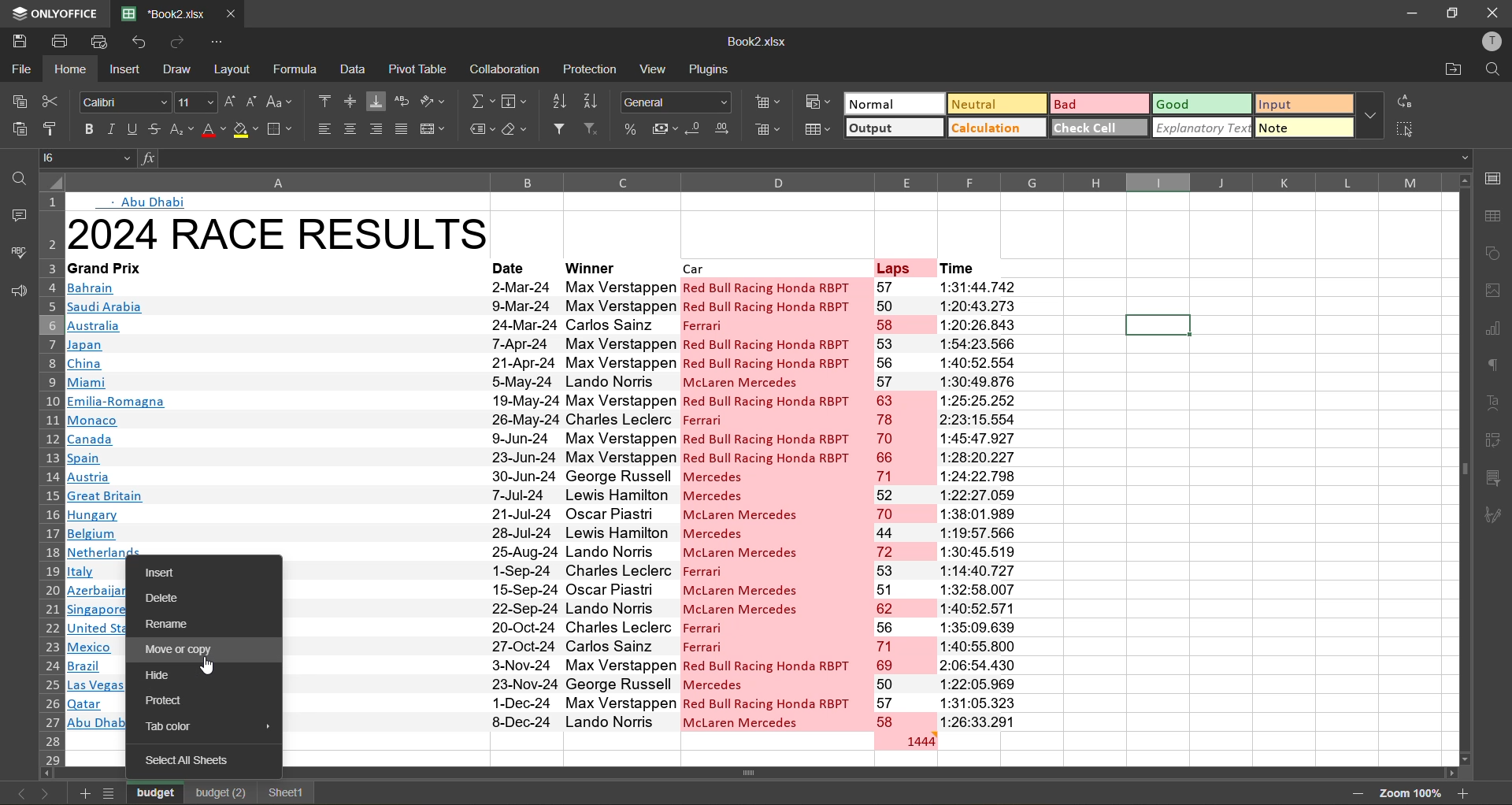 The height and width of the screenshot is (805, 1512). Describe the element at coordinates (1299, 106) in the screenshot. I see `input` at that location.